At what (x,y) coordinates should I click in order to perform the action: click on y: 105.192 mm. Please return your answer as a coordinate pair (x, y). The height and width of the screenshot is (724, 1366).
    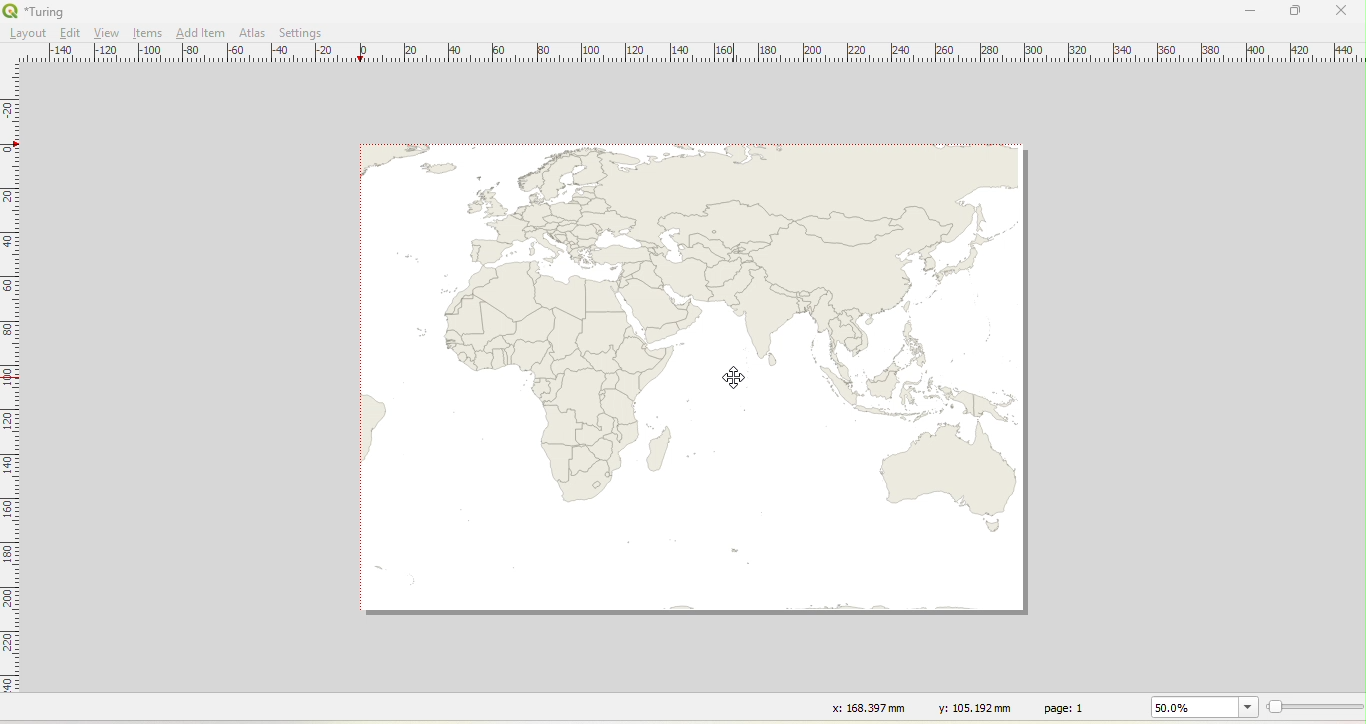
    Looking at the image, I should click on (968, 707).